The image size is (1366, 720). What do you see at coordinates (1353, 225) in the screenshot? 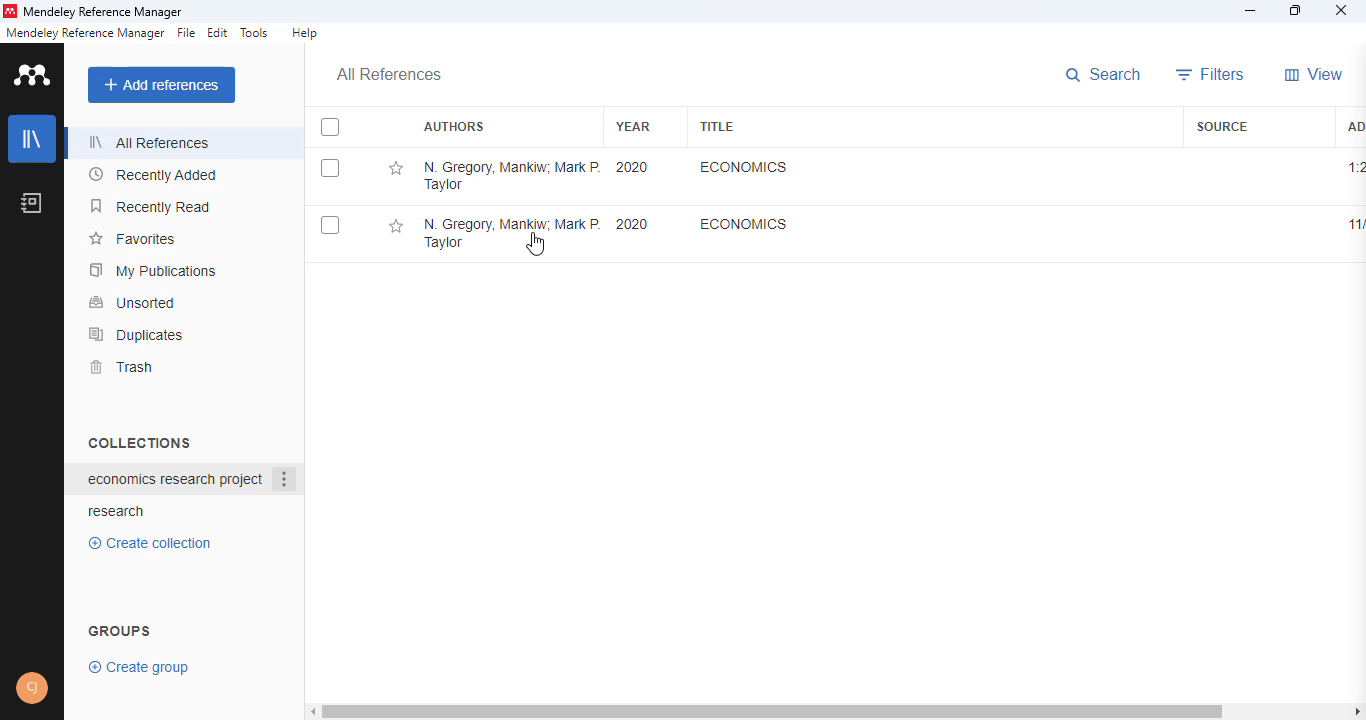
I see `11/` at bounding box center [1353, 225].